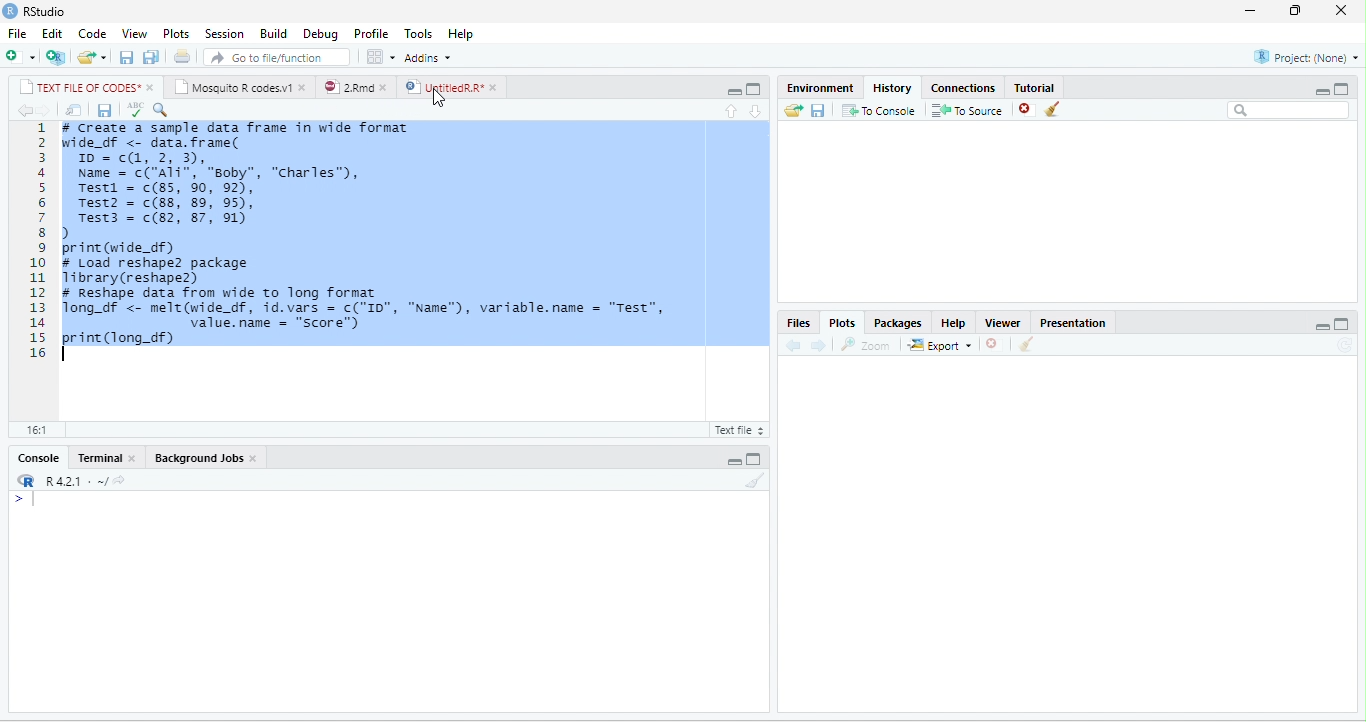 This screenshot has width=1366, height=722. What do you see at coordinates (225, 34) in the screenshot?
I see `Session` at bounding box center [225, 34].